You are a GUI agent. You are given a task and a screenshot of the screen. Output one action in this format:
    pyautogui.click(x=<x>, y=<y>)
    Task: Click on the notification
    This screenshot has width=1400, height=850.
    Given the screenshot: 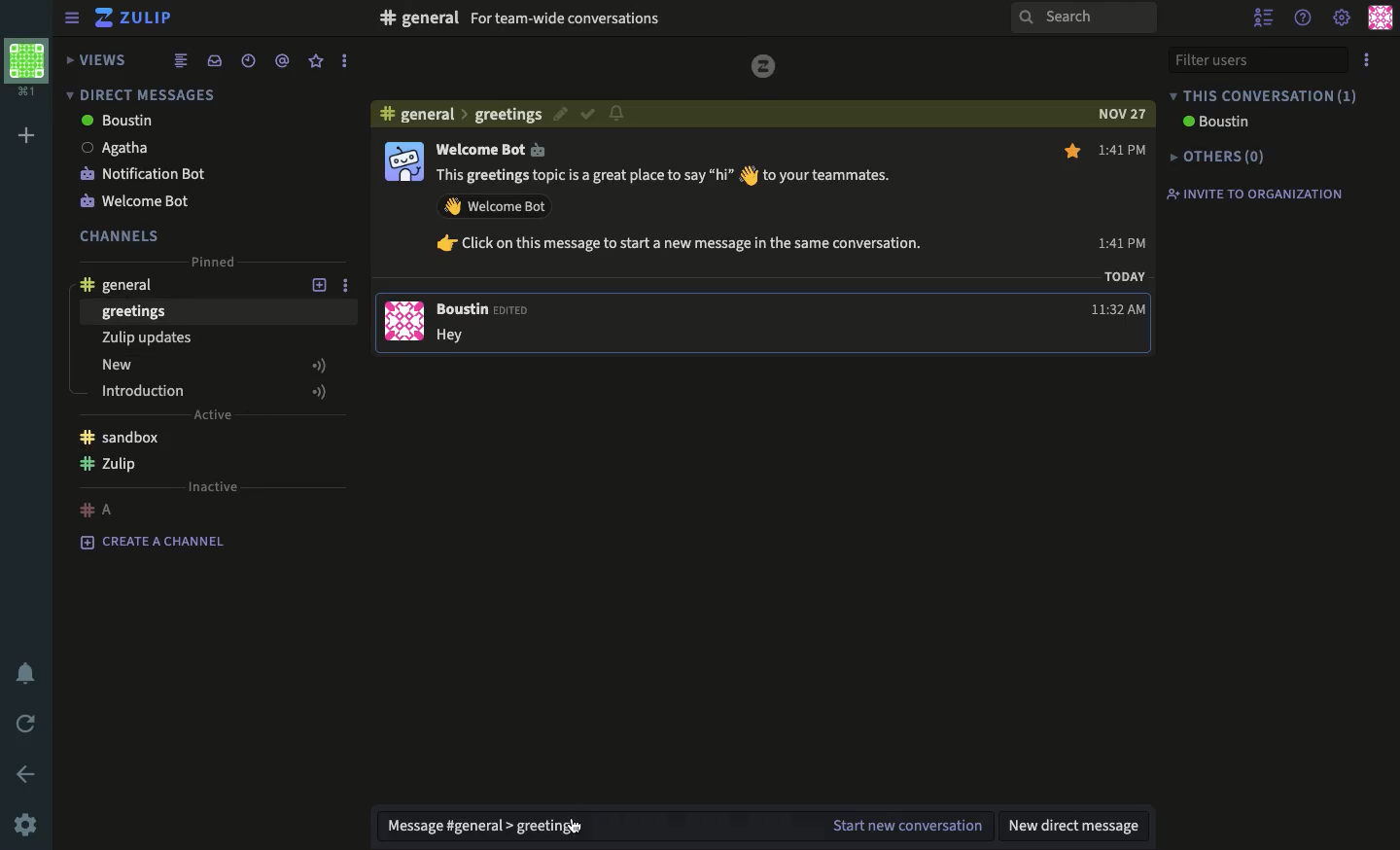 What is the action you would take?
    pyautogui.click(x=30, y=674)
    